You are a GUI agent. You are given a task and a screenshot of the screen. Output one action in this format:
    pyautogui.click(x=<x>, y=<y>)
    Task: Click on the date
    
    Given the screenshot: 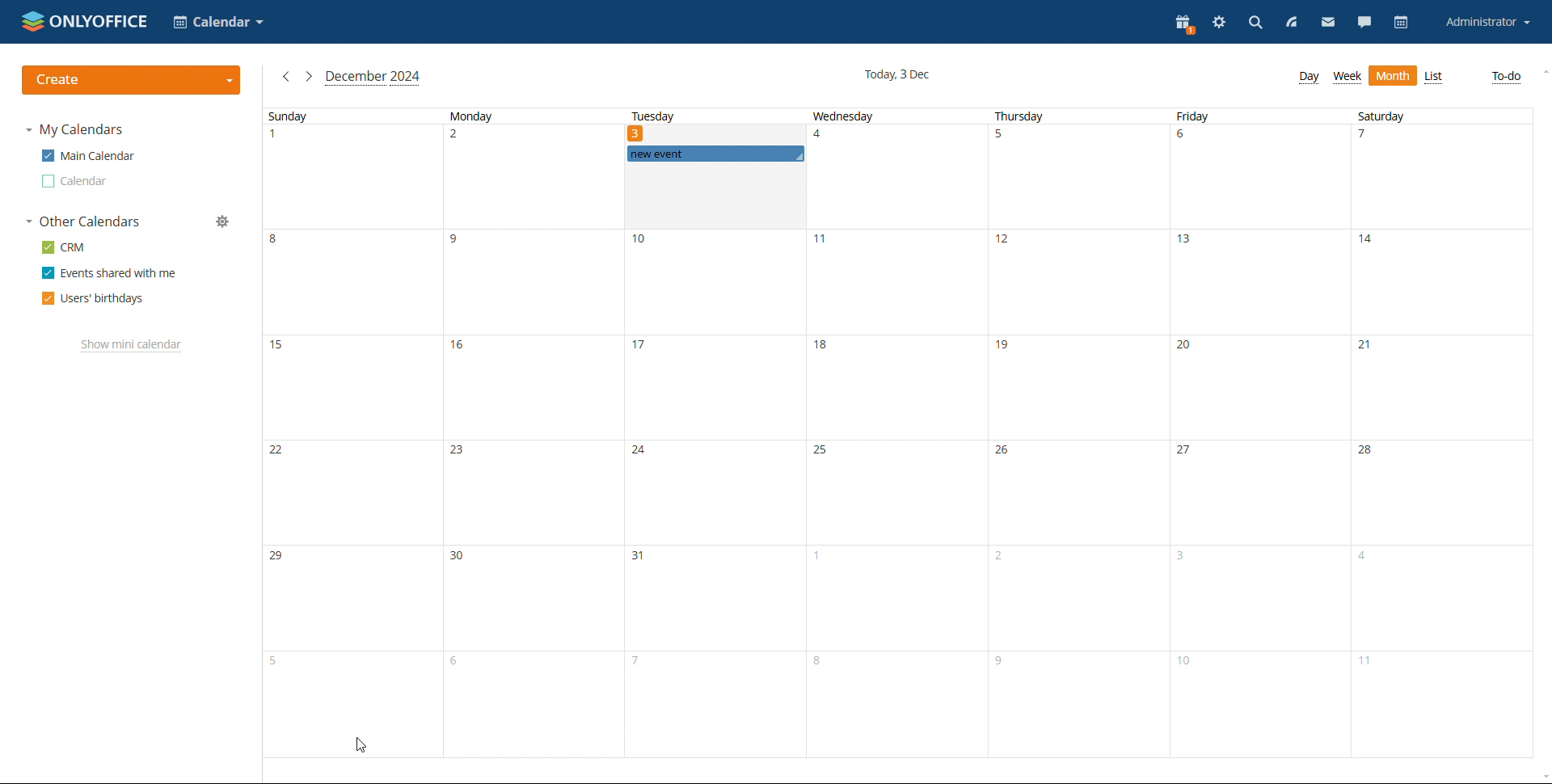 What is the action you would take?
    pyautogui.click(x=638, y=133)
    